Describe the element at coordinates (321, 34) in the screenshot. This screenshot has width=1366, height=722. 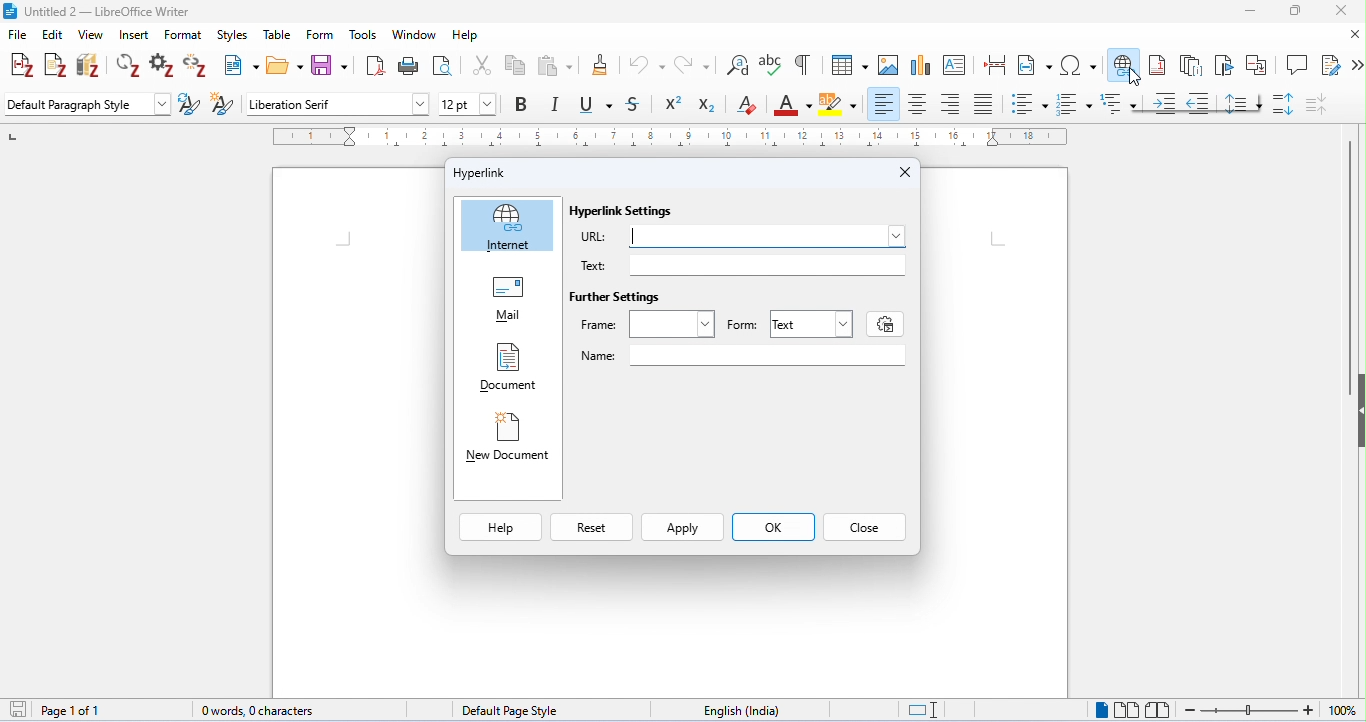
I see `form` at that location.